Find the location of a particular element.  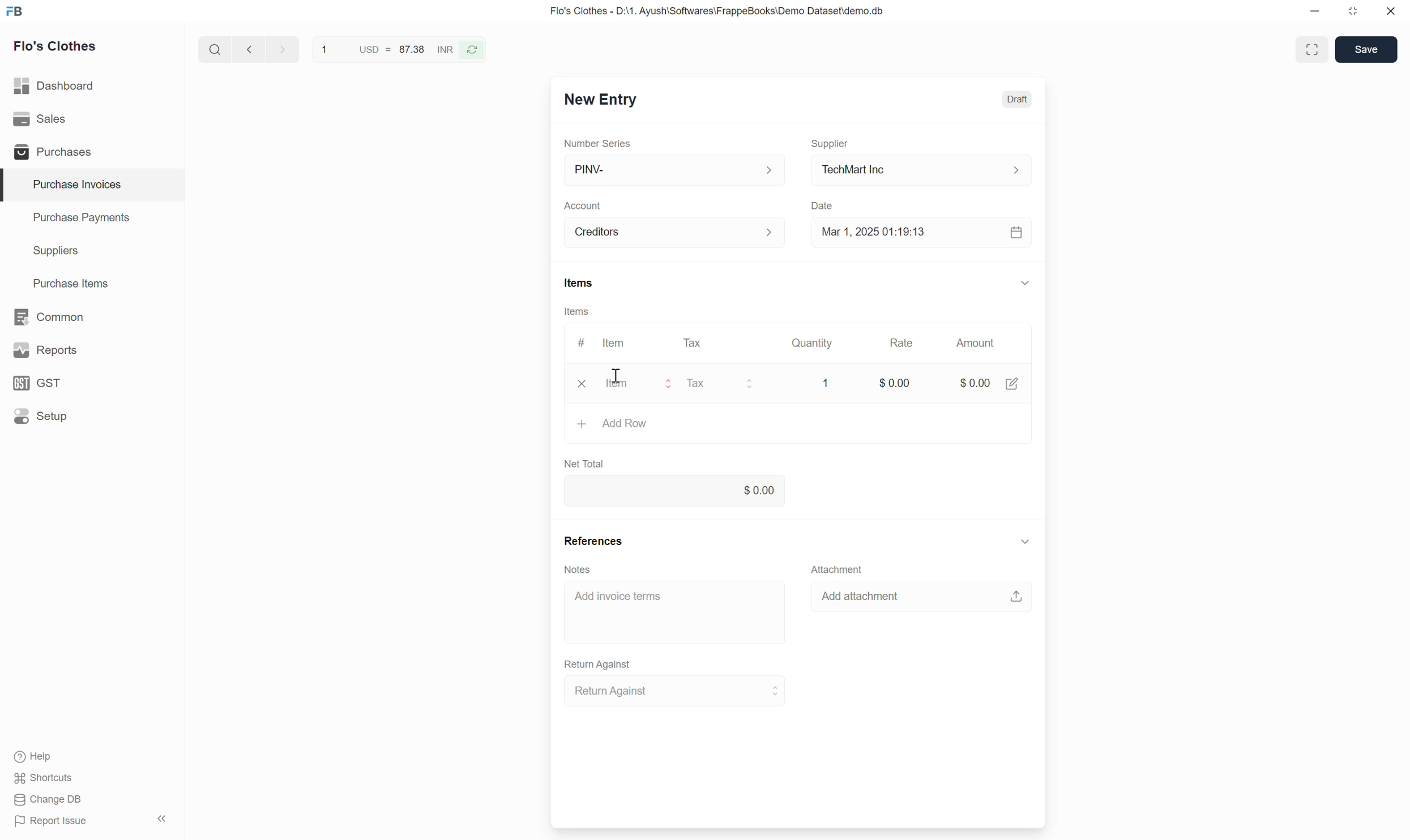

Return Against is located at coordinates (599, 664).